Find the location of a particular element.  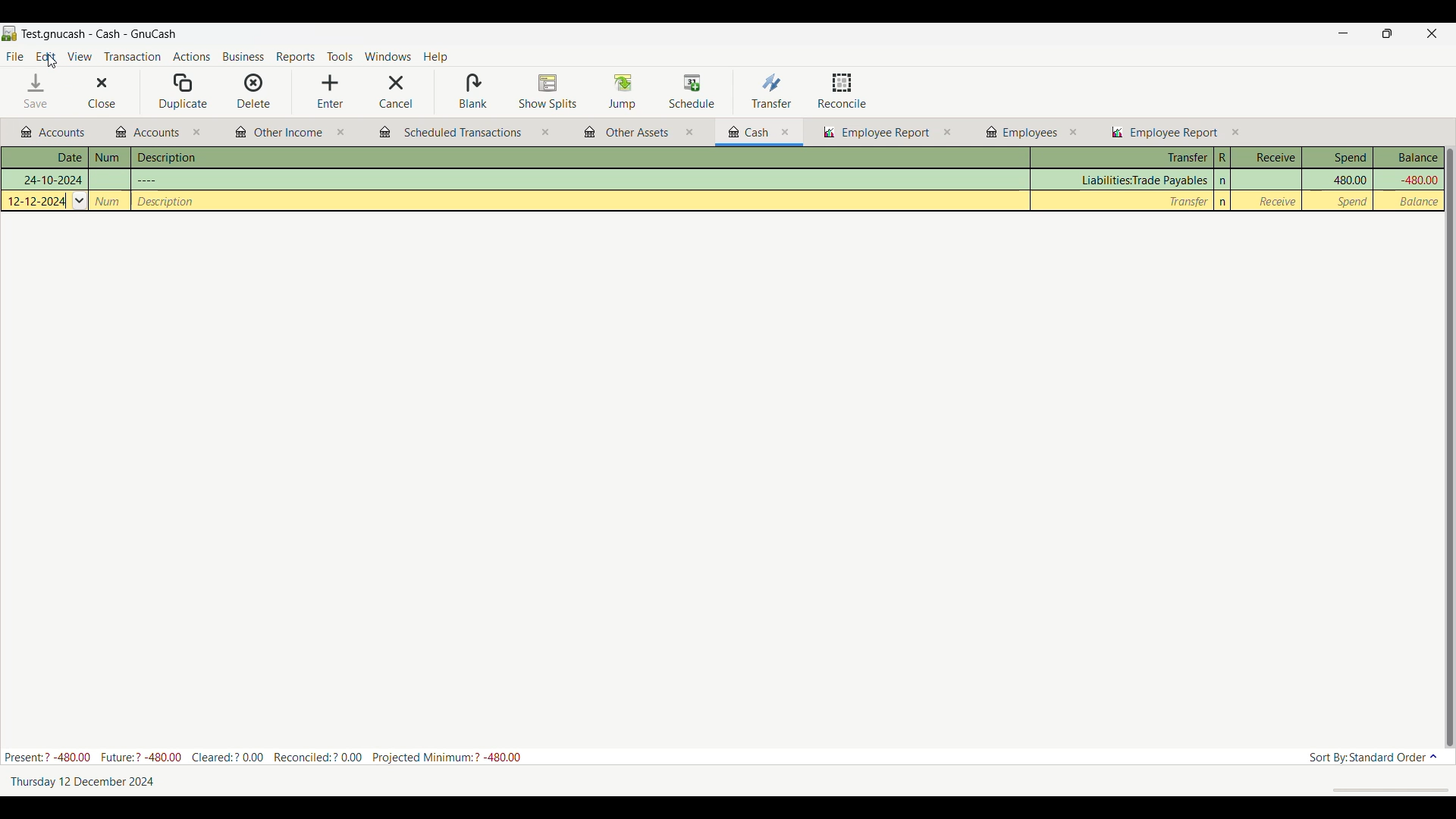

close is located at coordinates (1074, 132).